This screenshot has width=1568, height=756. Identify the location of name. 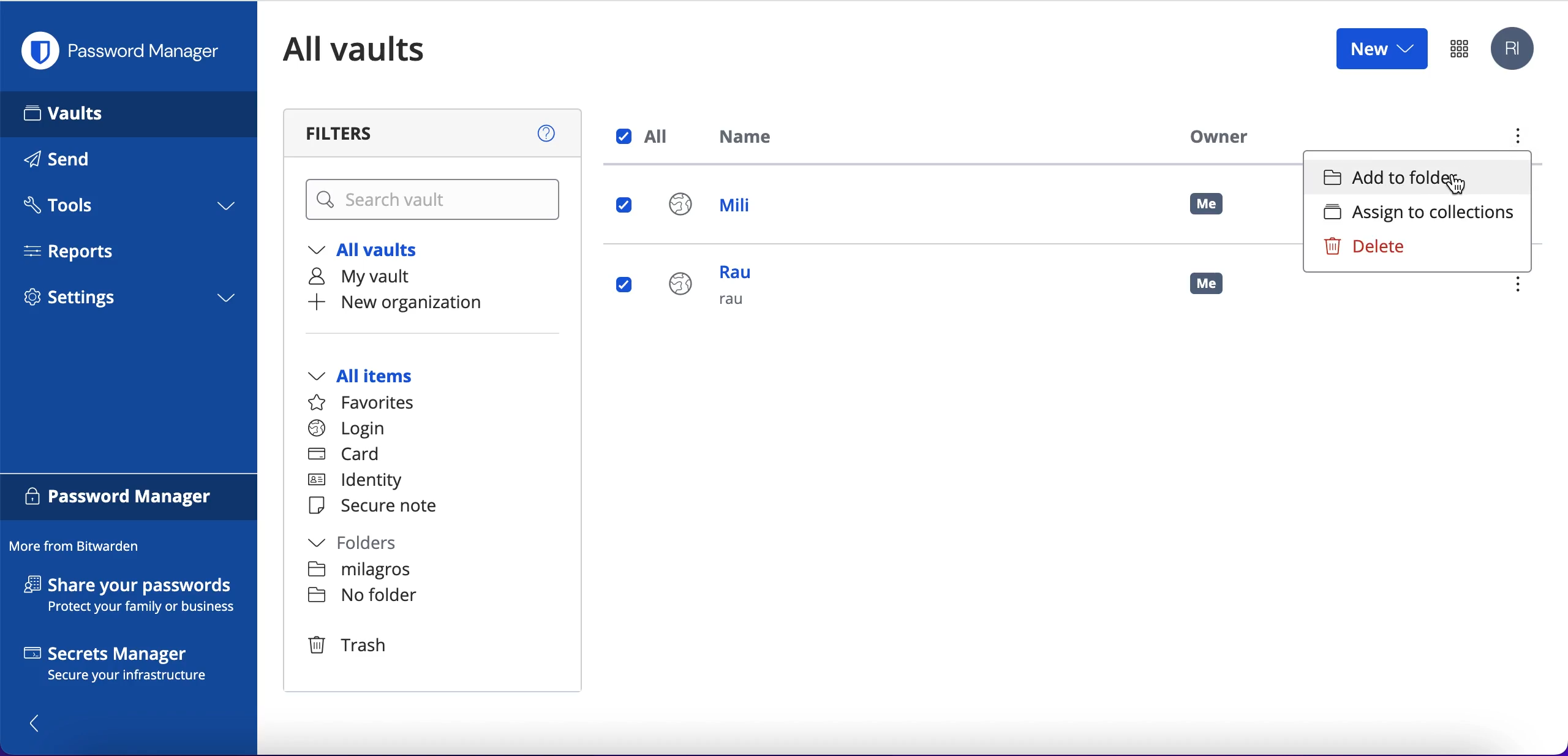
(753, 139).